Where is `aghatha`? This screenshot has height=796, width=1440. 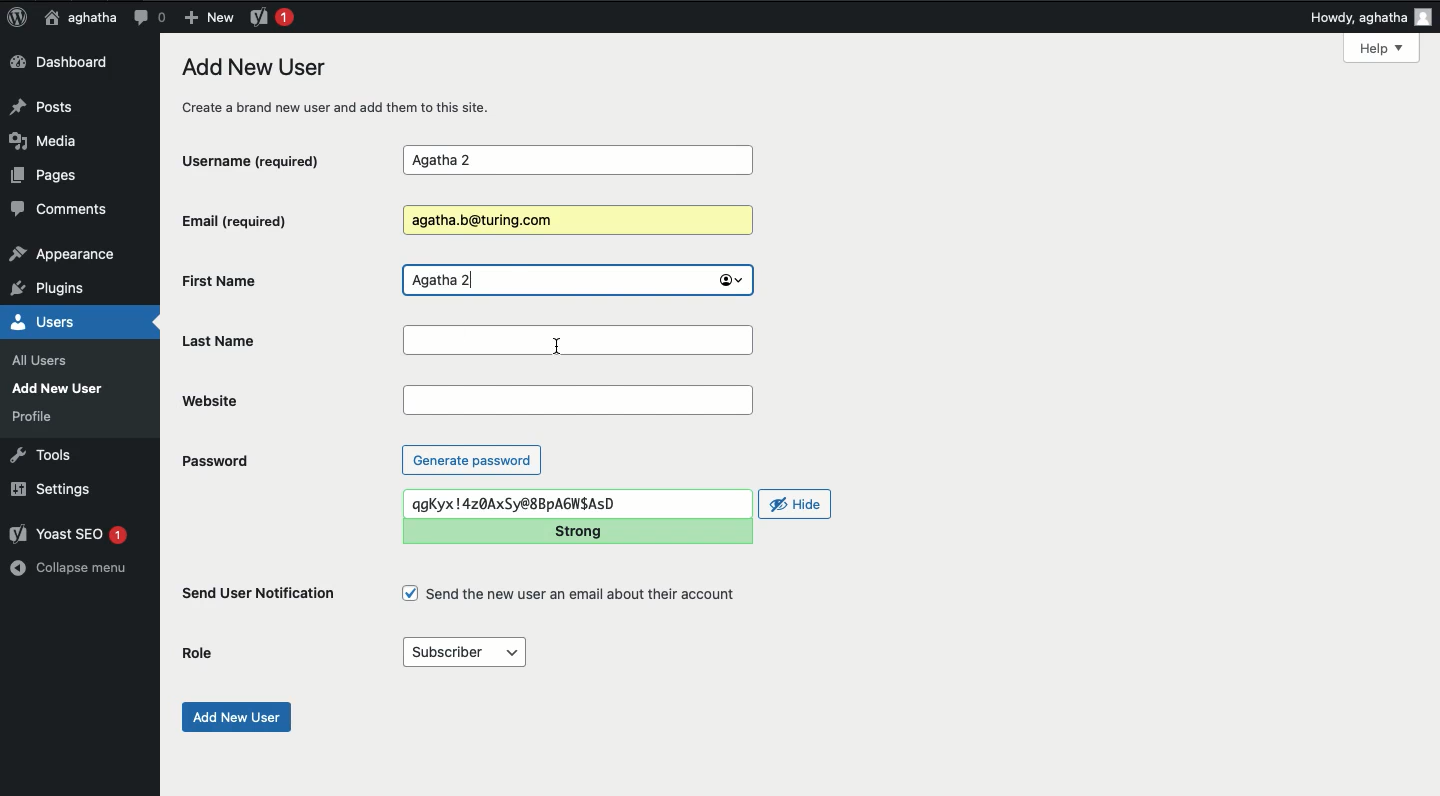 aghatha is located at coordinates (77, 17).